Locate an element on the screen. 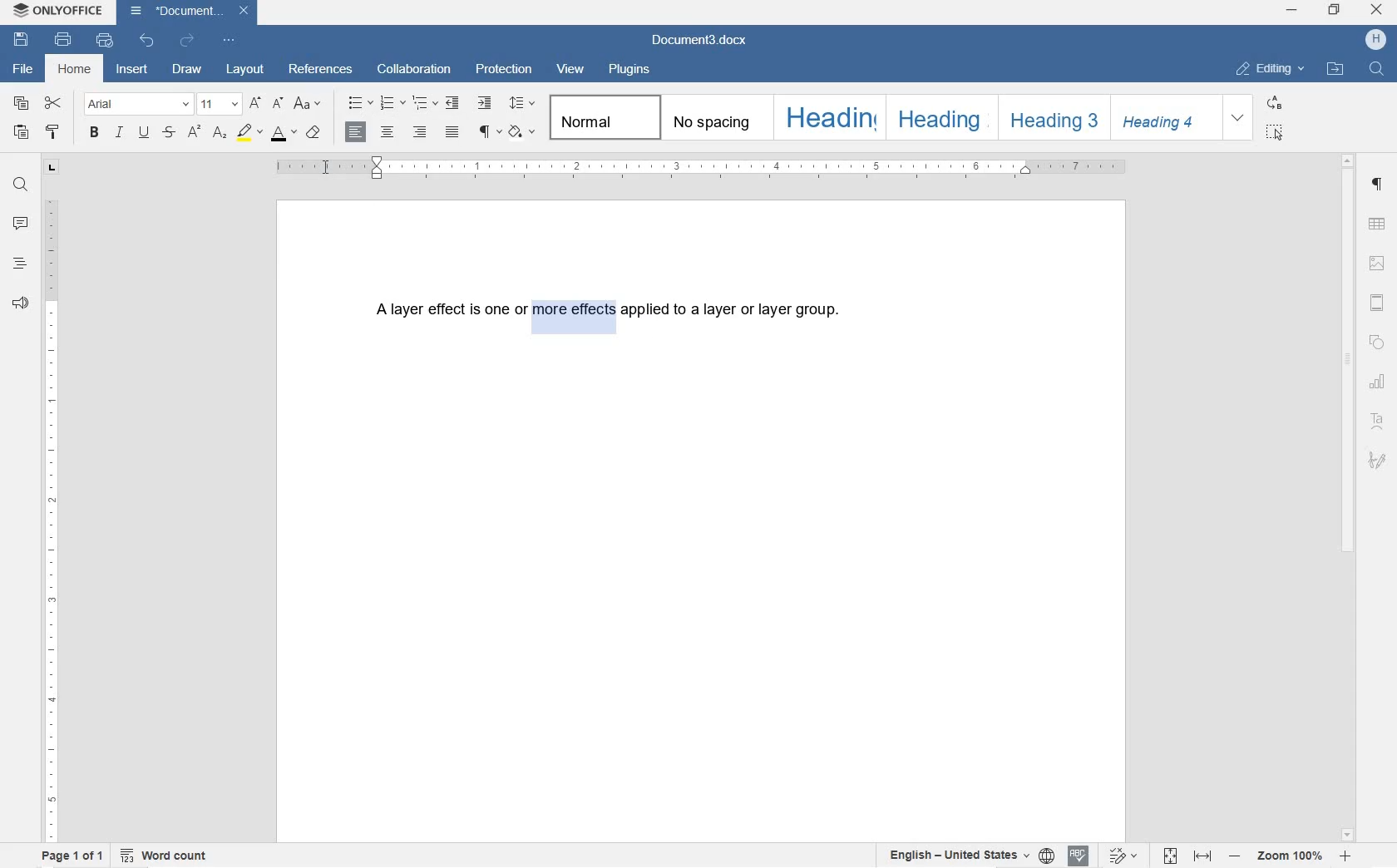 The width and height of the screenshot is (1397, 868). RESTORE is located at coordinates (1335, 12).